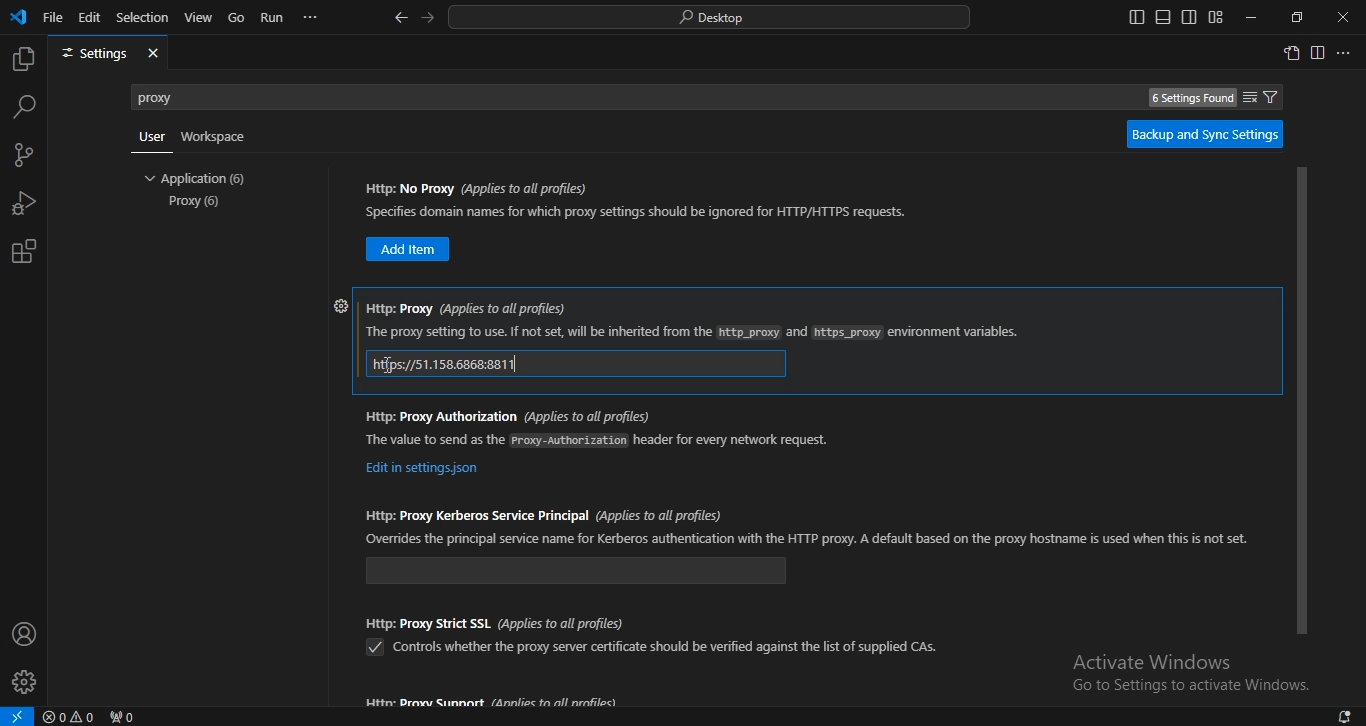  What do you see at coordinates (493, 702) in the screenshot?
I see `Proxy support` at bounding box center [493, 702].